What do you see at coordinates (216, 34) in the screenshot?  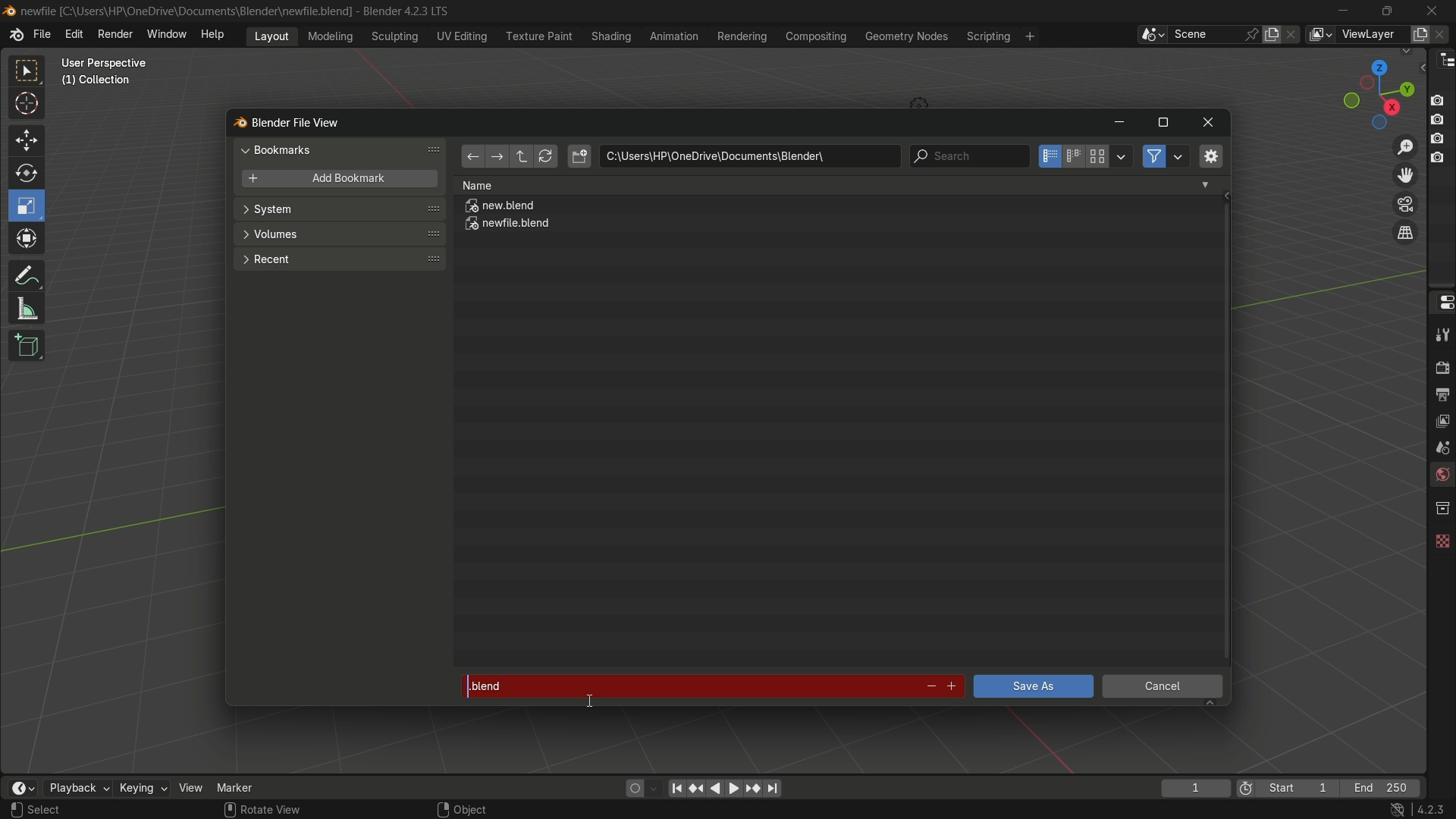 I see `help menu` at bounding box center [216, 34].